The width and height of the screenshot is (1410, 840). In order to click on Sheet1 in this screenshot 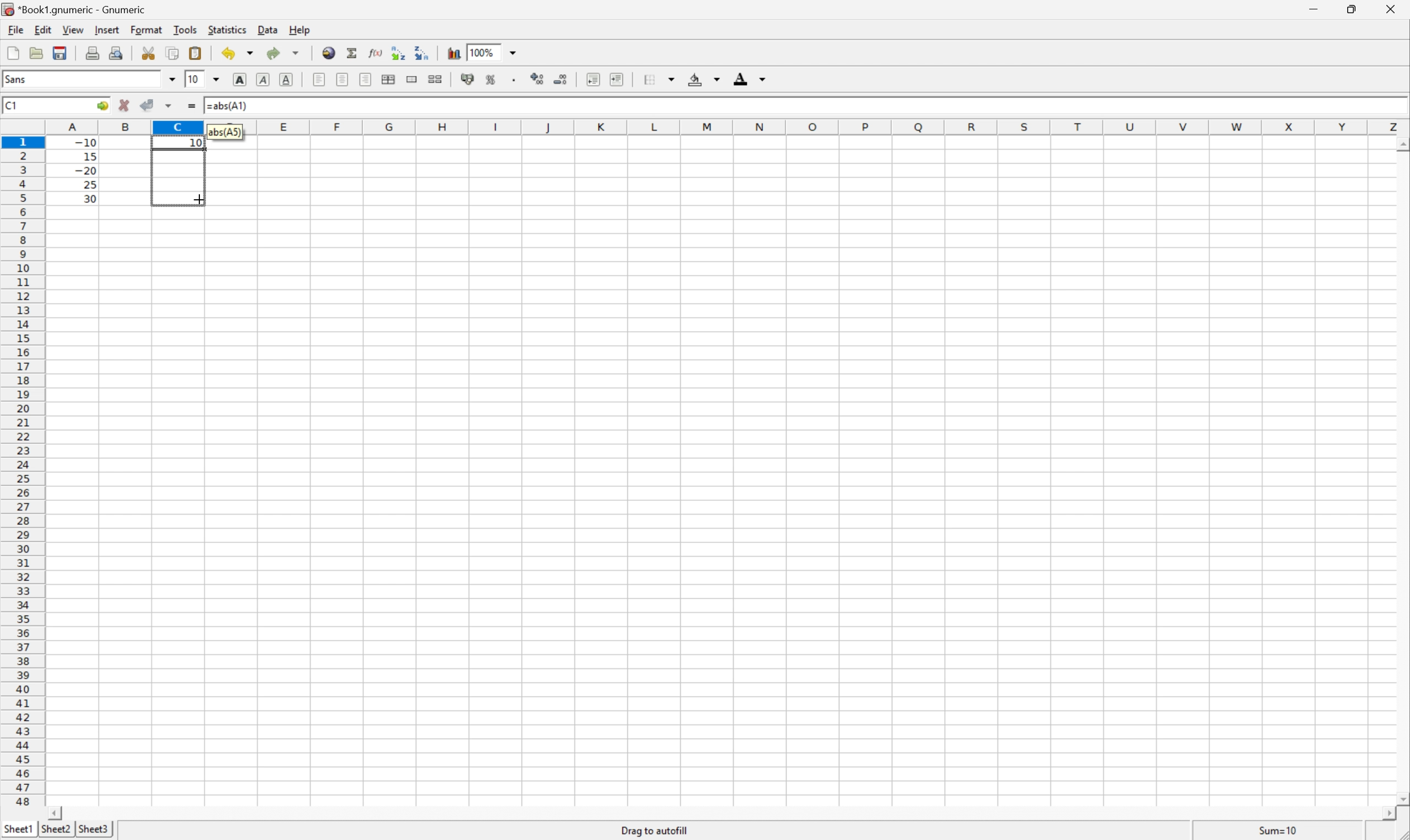, I will do `click(19, 827)`.